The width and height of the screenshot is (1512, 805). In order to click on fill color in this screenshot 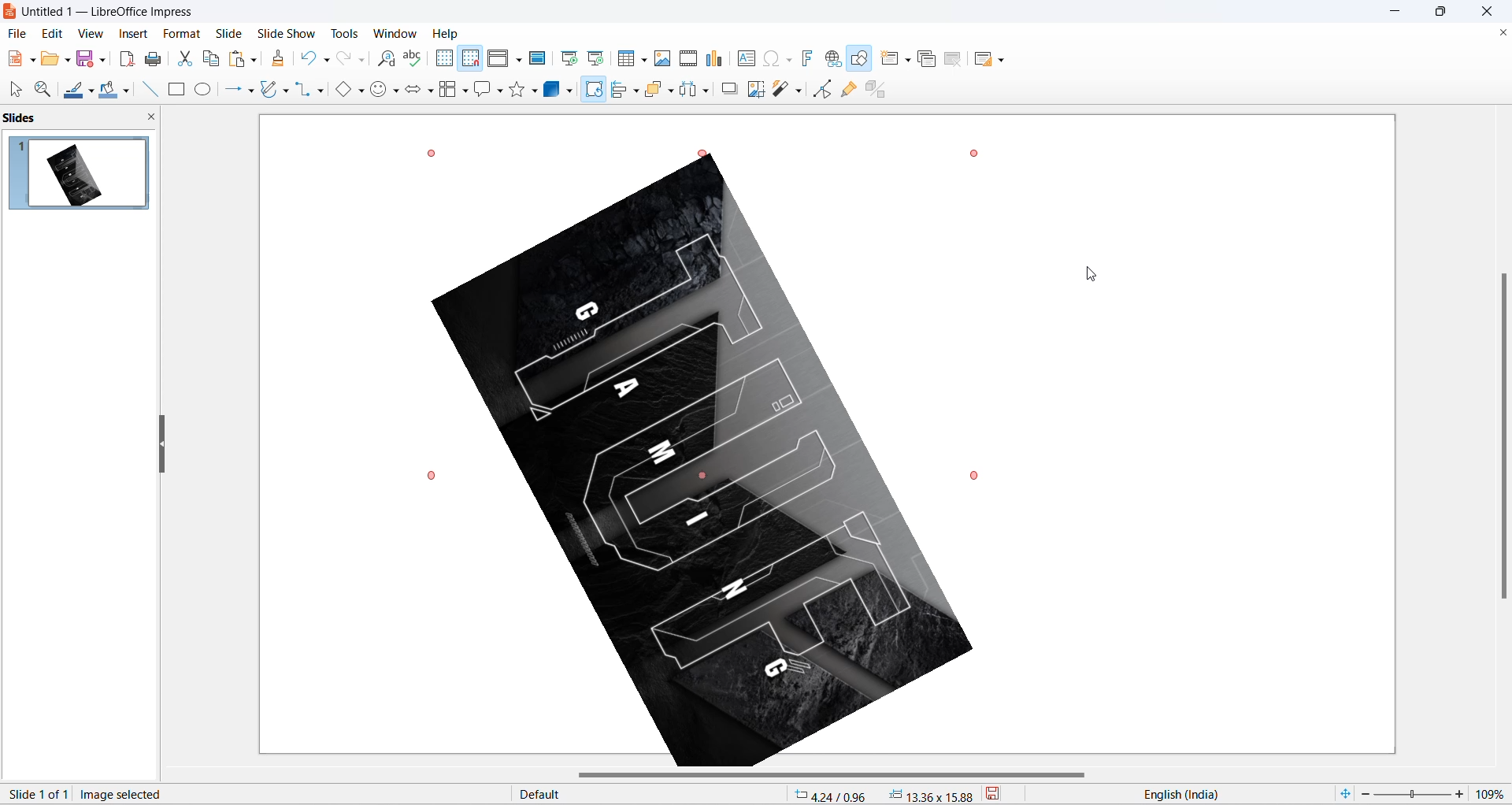, I will do `click(106, 91)`.